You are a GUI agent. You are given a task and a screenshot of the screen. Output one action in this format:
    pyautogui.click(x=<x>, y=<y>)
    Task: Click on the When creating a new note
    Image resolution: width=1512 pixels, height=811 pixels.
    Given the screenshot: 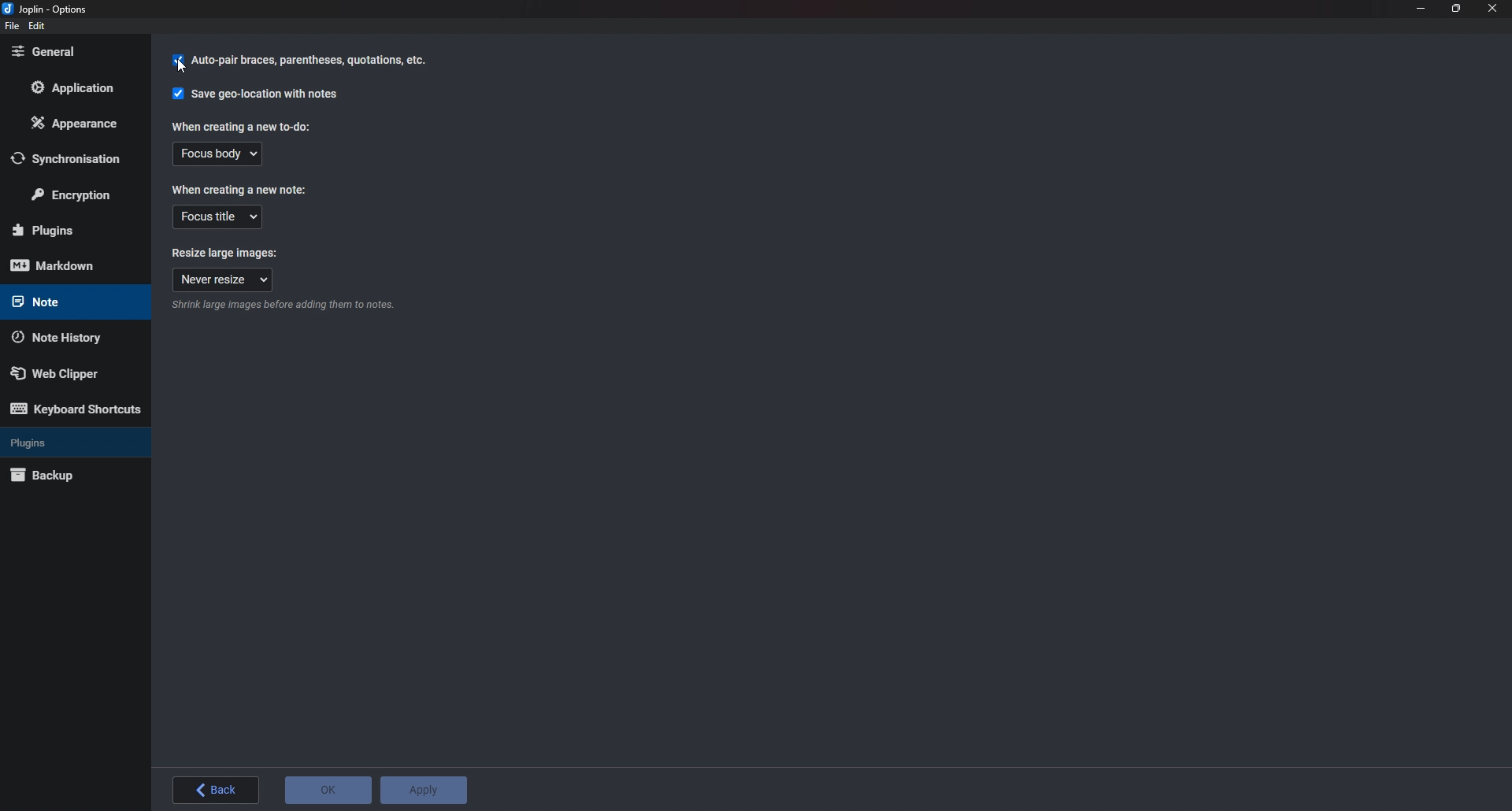 What is the action you would take?
    pyautogui.click(x=239, y=189)
    